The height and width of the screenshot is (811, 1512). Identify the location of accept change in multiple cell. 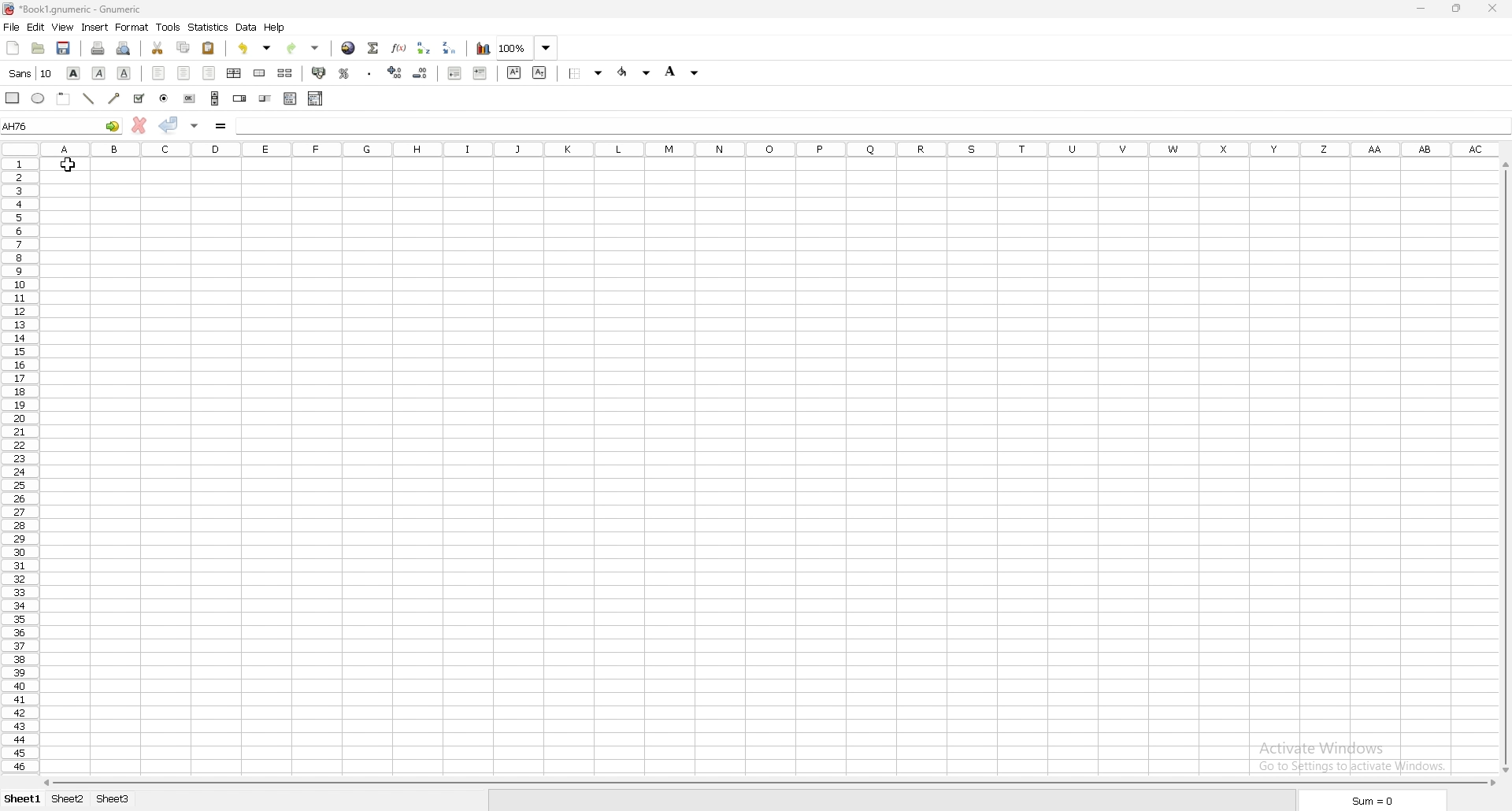
(195, 126).